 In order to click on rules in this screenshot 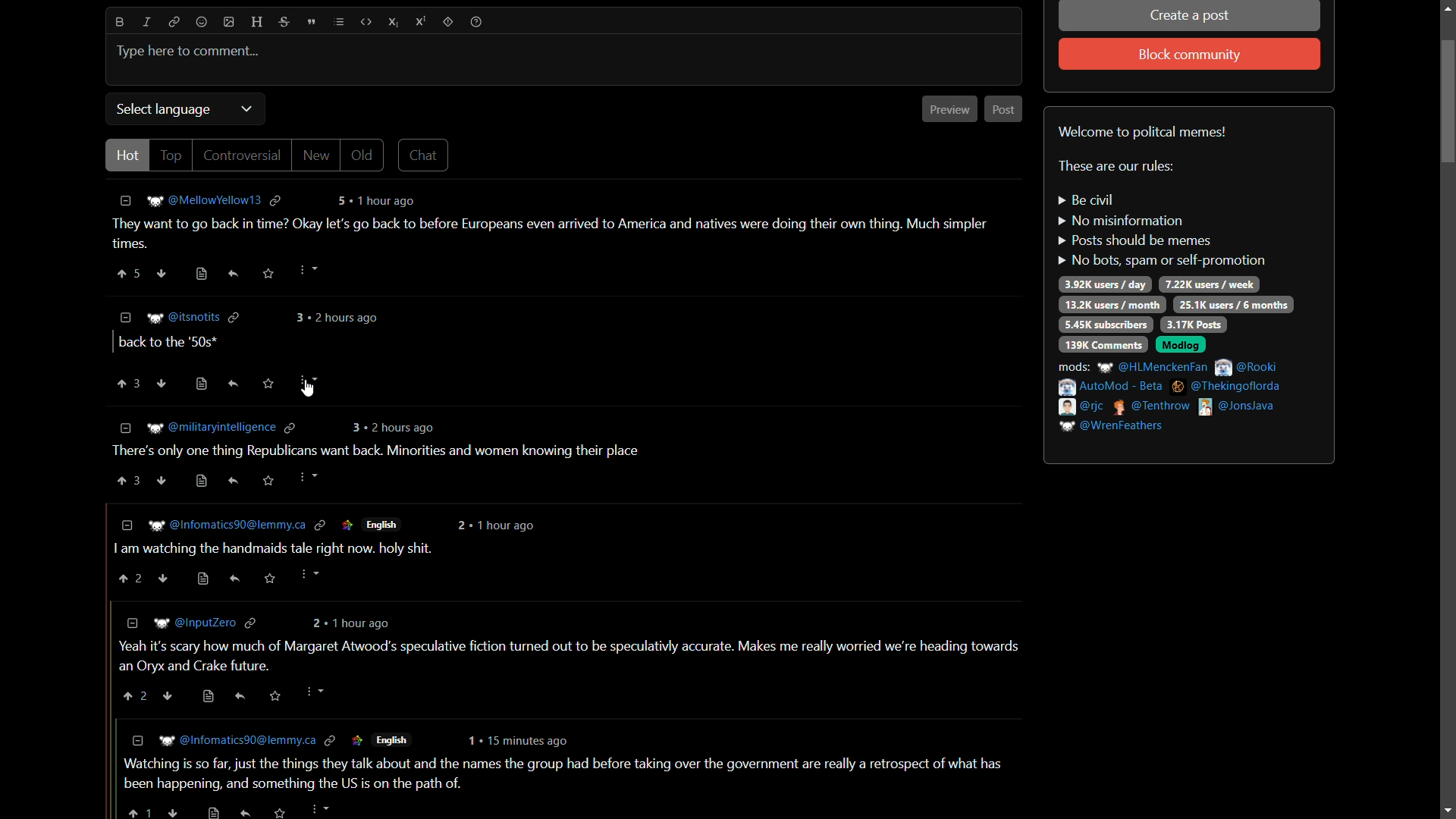, I will do `click(1161, 232)`.